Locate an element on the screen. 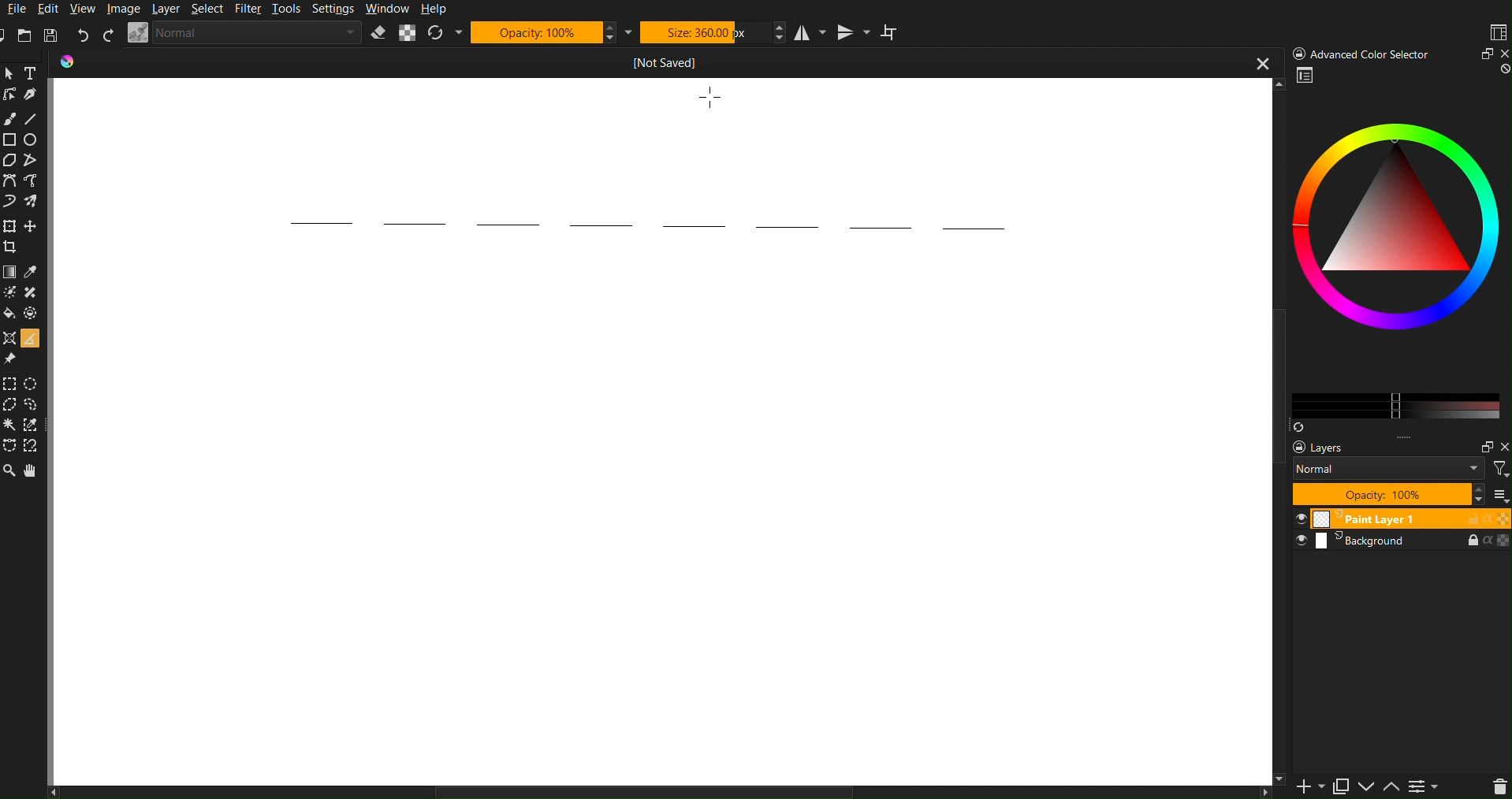 Image resolution: width=1512 pixels, height=799 pixels. Crop is located at coordinates (13, 247).